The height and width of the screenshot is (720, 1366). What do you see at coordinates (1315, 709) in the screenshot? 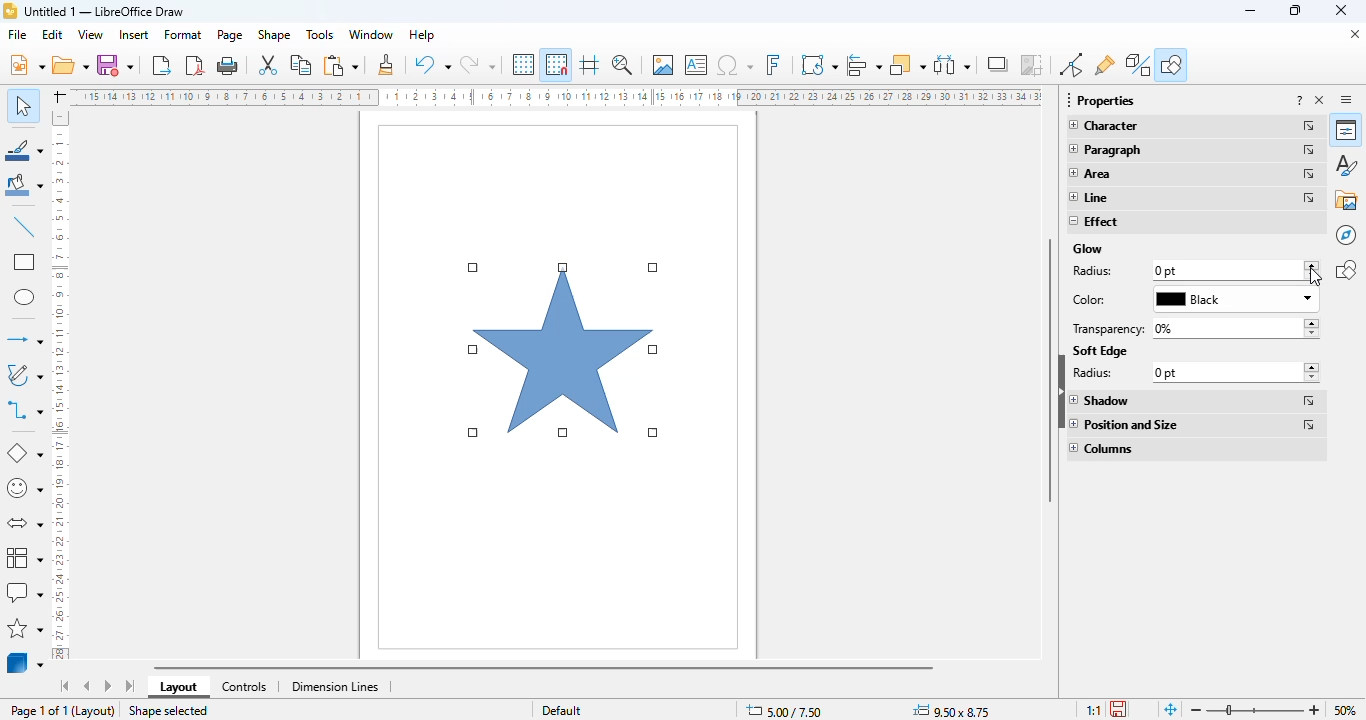
I see `zoom out` at bounding box center [1315, 709].